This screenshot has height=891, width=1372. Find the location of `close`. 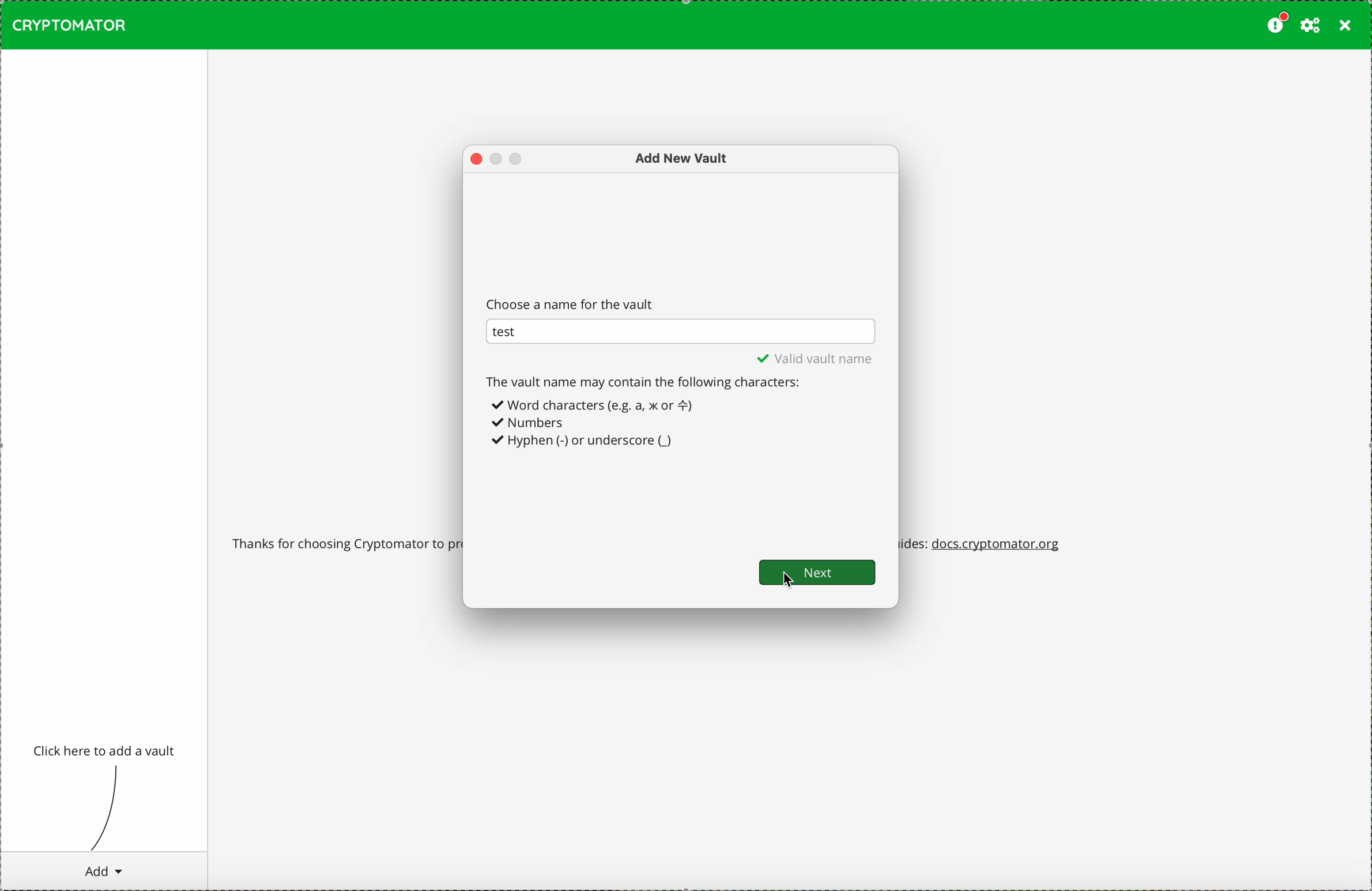

close is located at coordinates (476, 160).